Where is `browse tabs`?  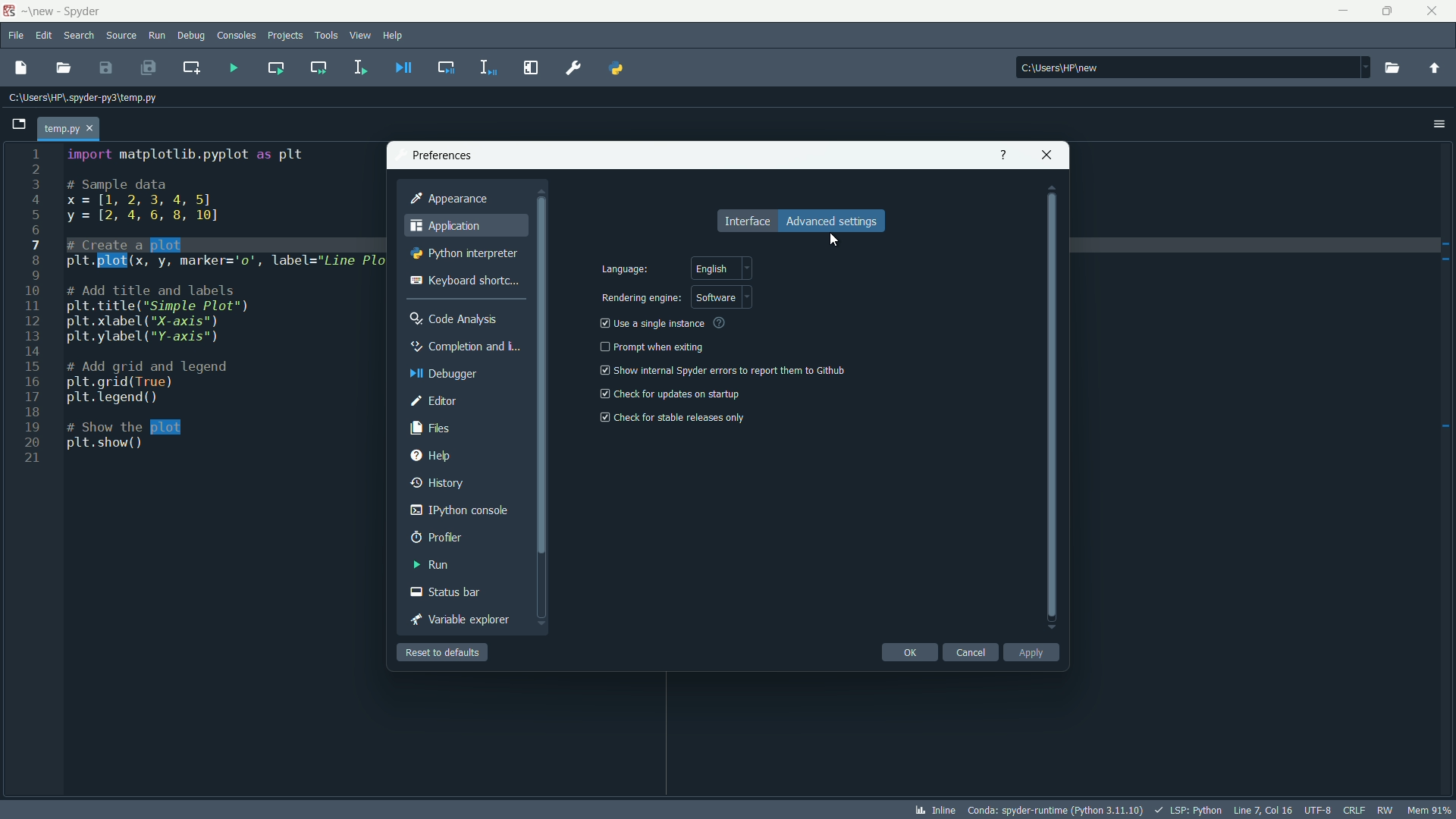 browse tabs is located at coordinates (15, 124).